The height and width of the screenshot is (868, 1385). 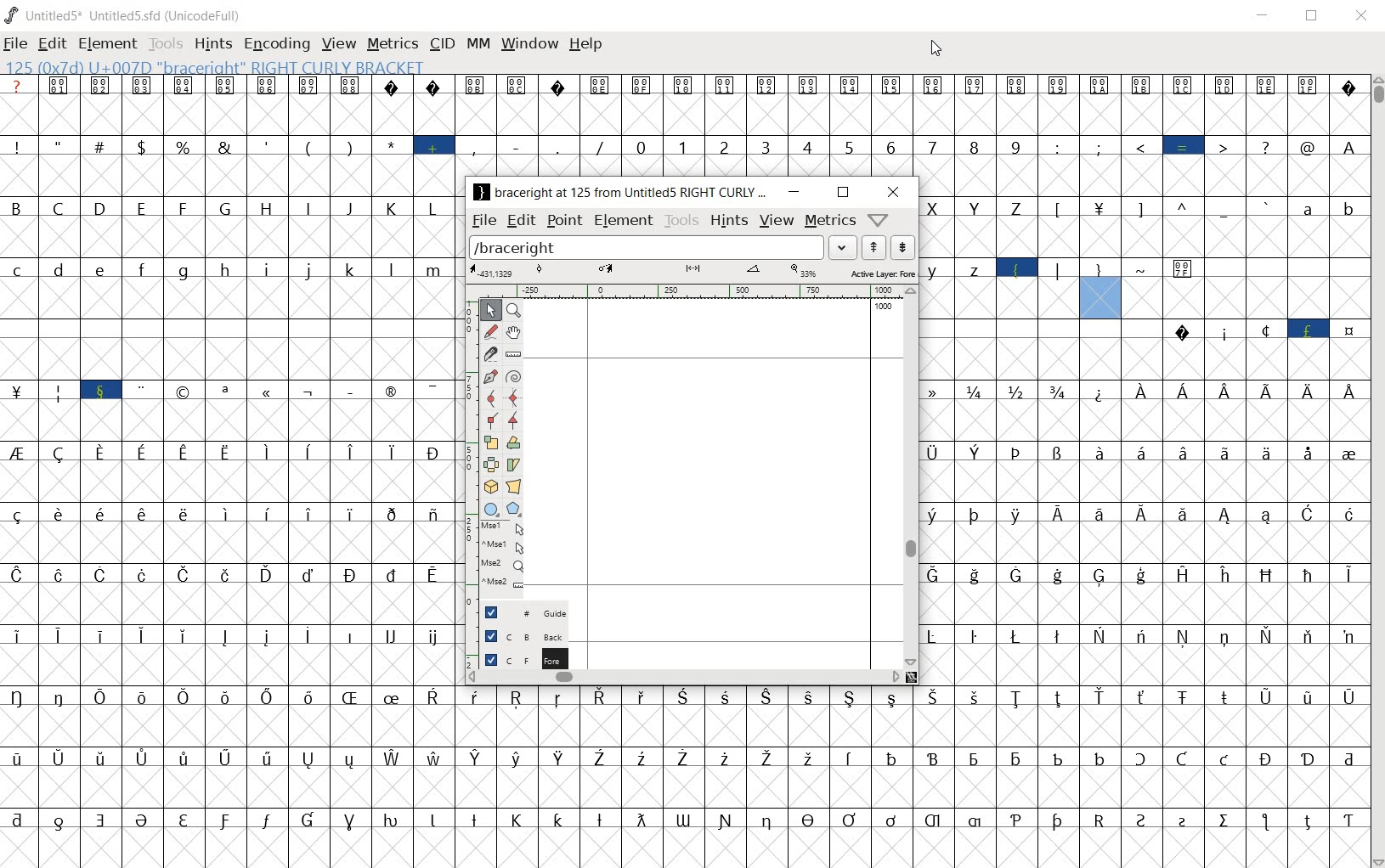 I want to click on measure a distance, angle between points, so click(x=514, y=355).